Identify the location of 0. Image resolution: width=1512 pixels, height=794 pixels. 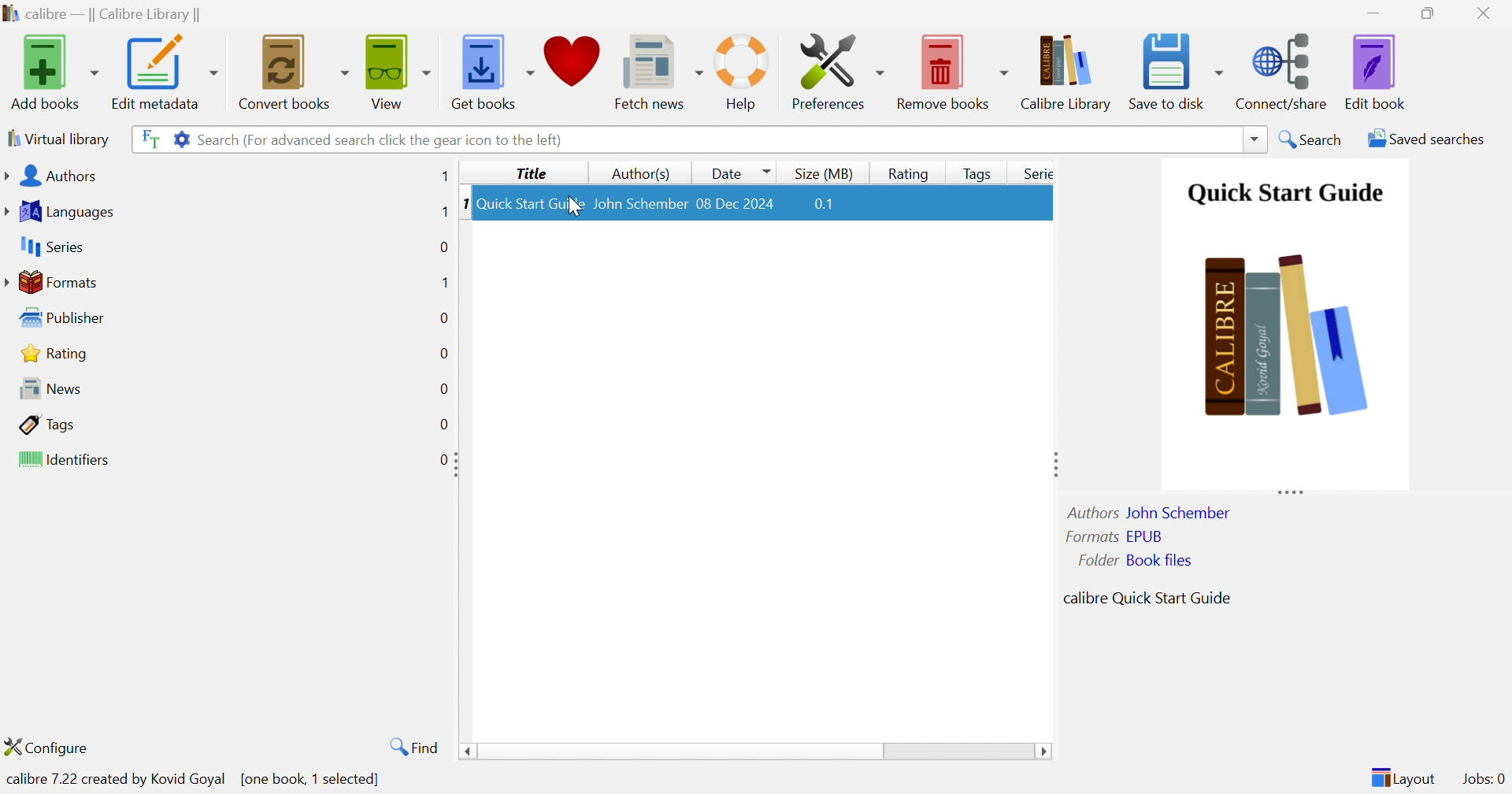
(443, 319).